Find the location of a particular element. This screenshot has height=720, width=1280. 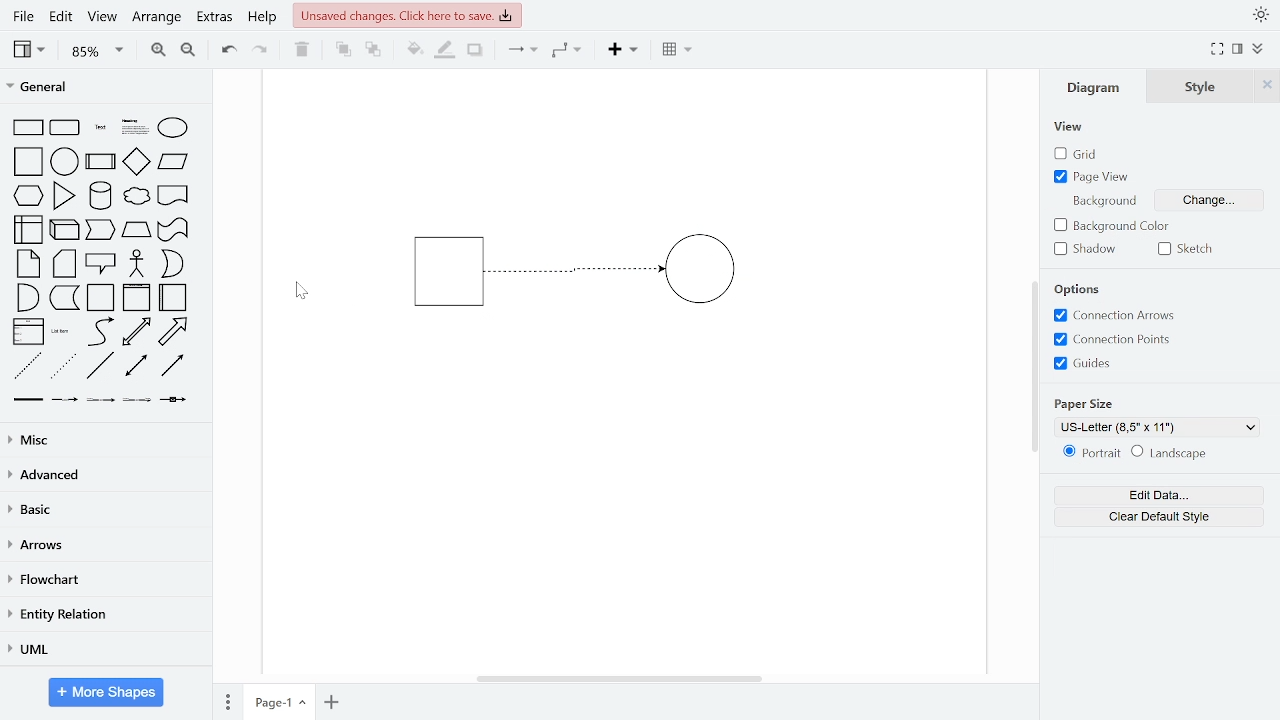

US-letter is located at coordinates (1157, 428).